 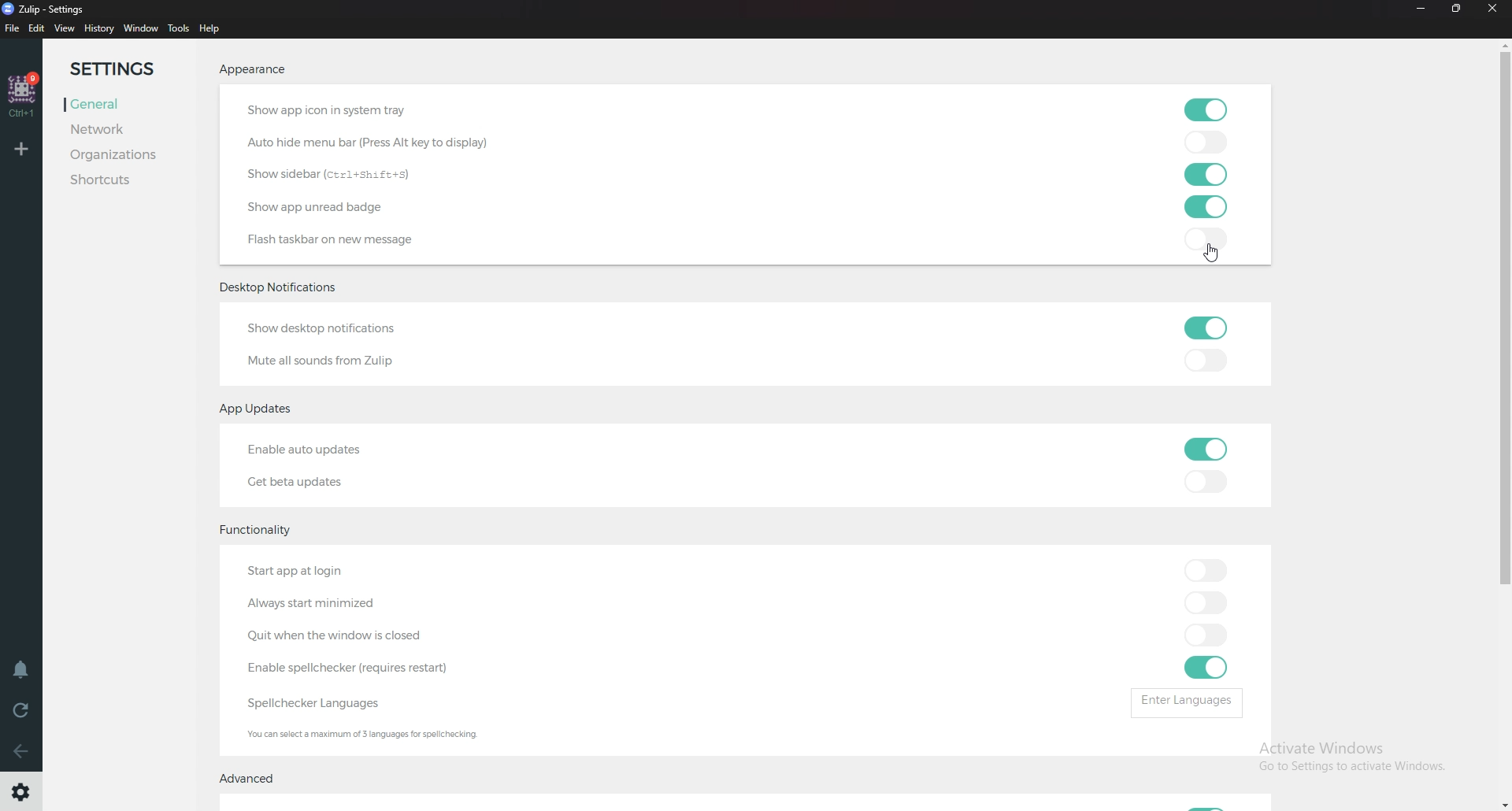 I want to click on enable Spell Checker, so click(x=360, y=668).